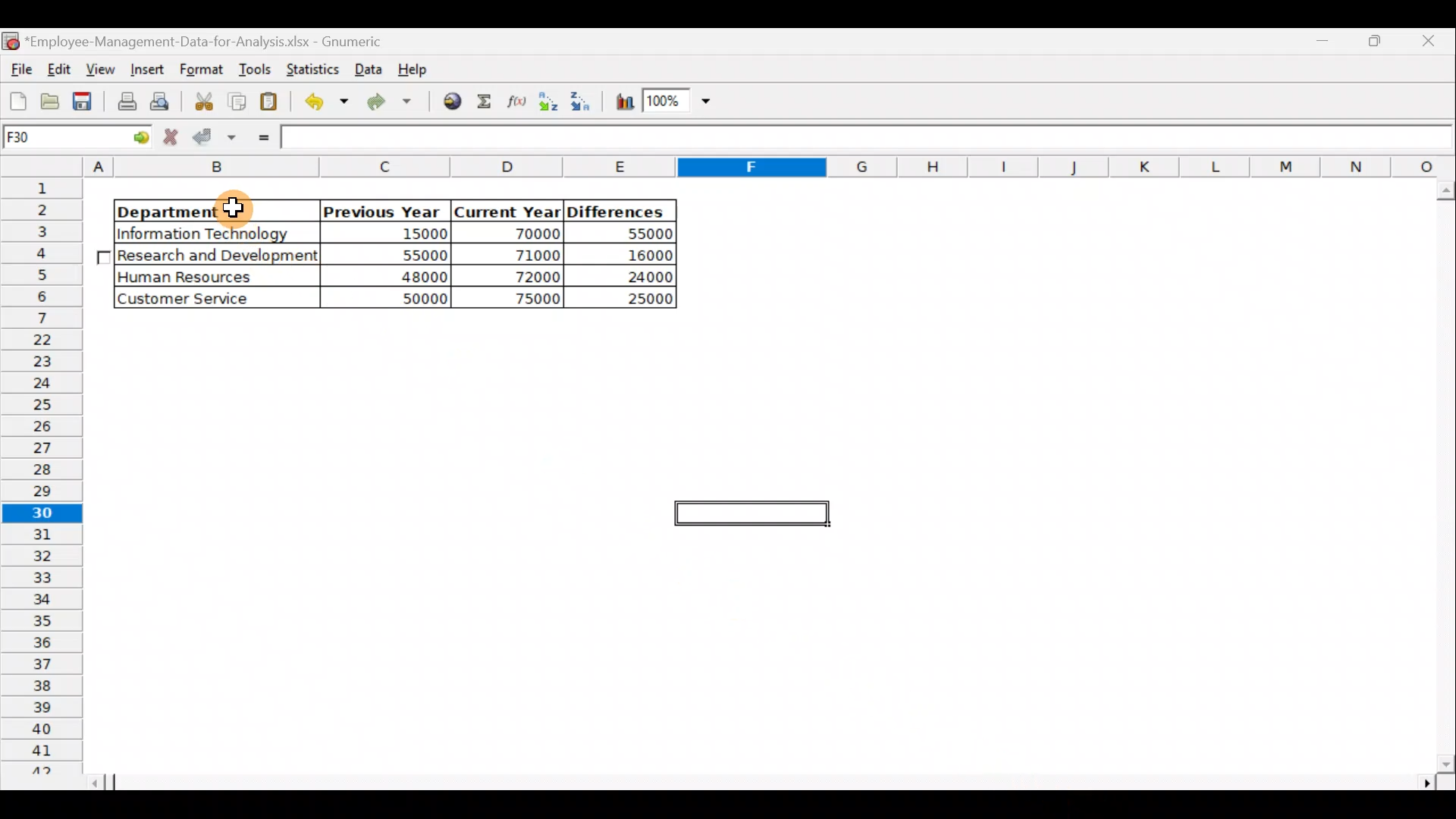 This screenshot has height=819, width=1456. What do you see at coordinates (548, 101) in the screenshot?
I see `Sort in Ascending order` at bounding box center [548, 101].